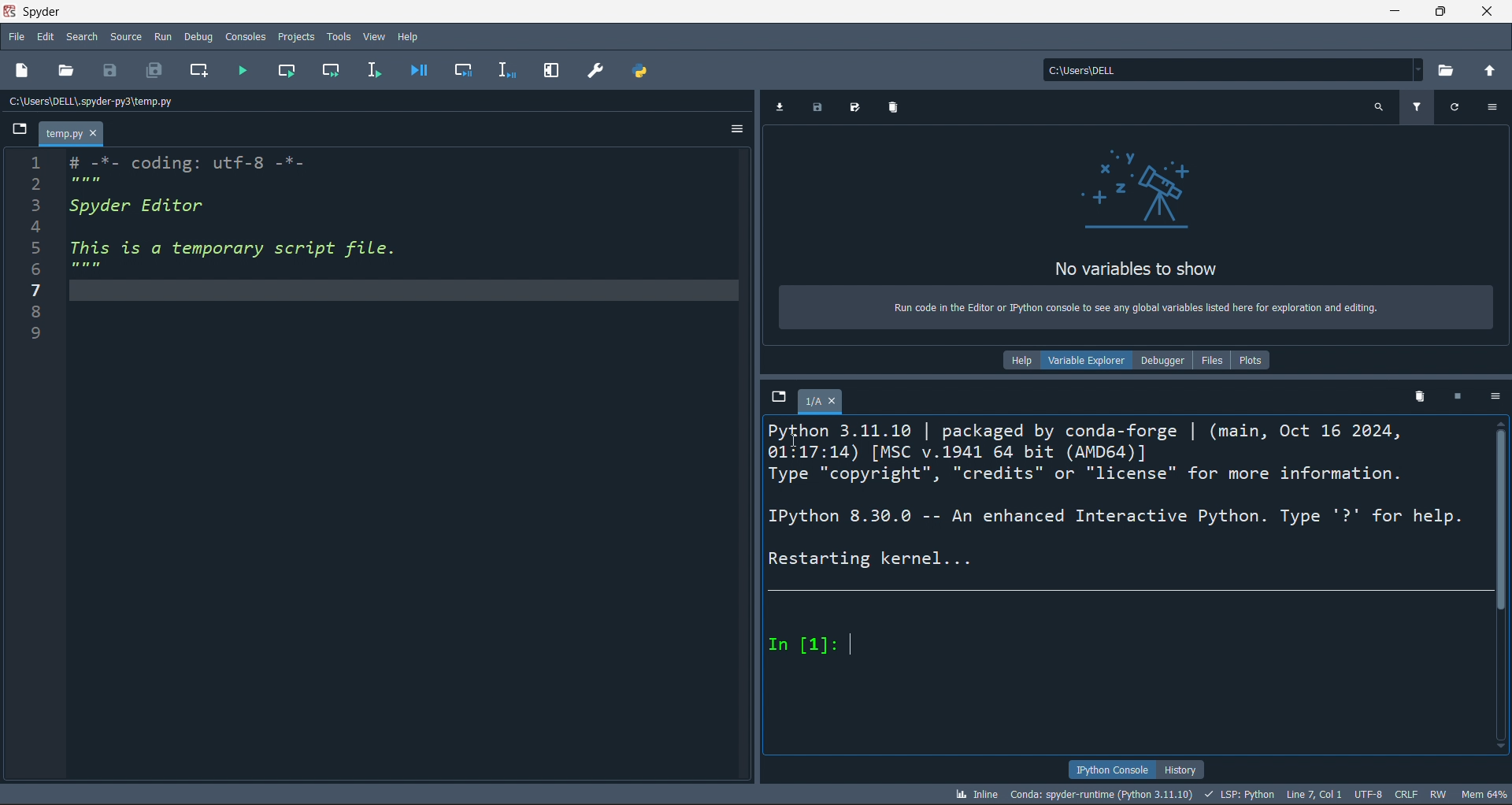  I want to click on debug file, so click(421, 72).